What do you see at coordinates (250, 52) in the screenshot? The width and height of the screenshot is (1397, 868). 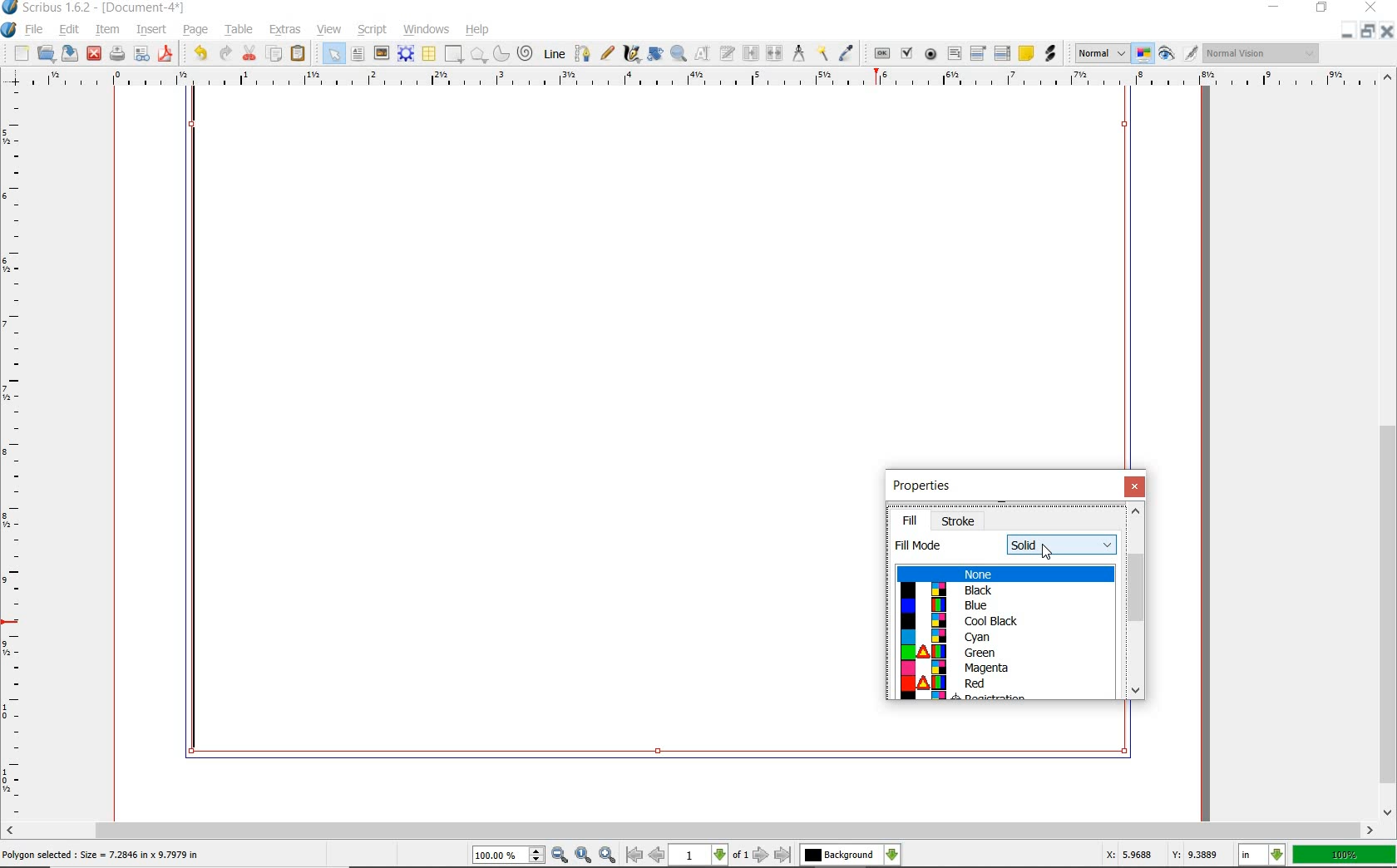 I see `cut` at bounding box center [250, 52].